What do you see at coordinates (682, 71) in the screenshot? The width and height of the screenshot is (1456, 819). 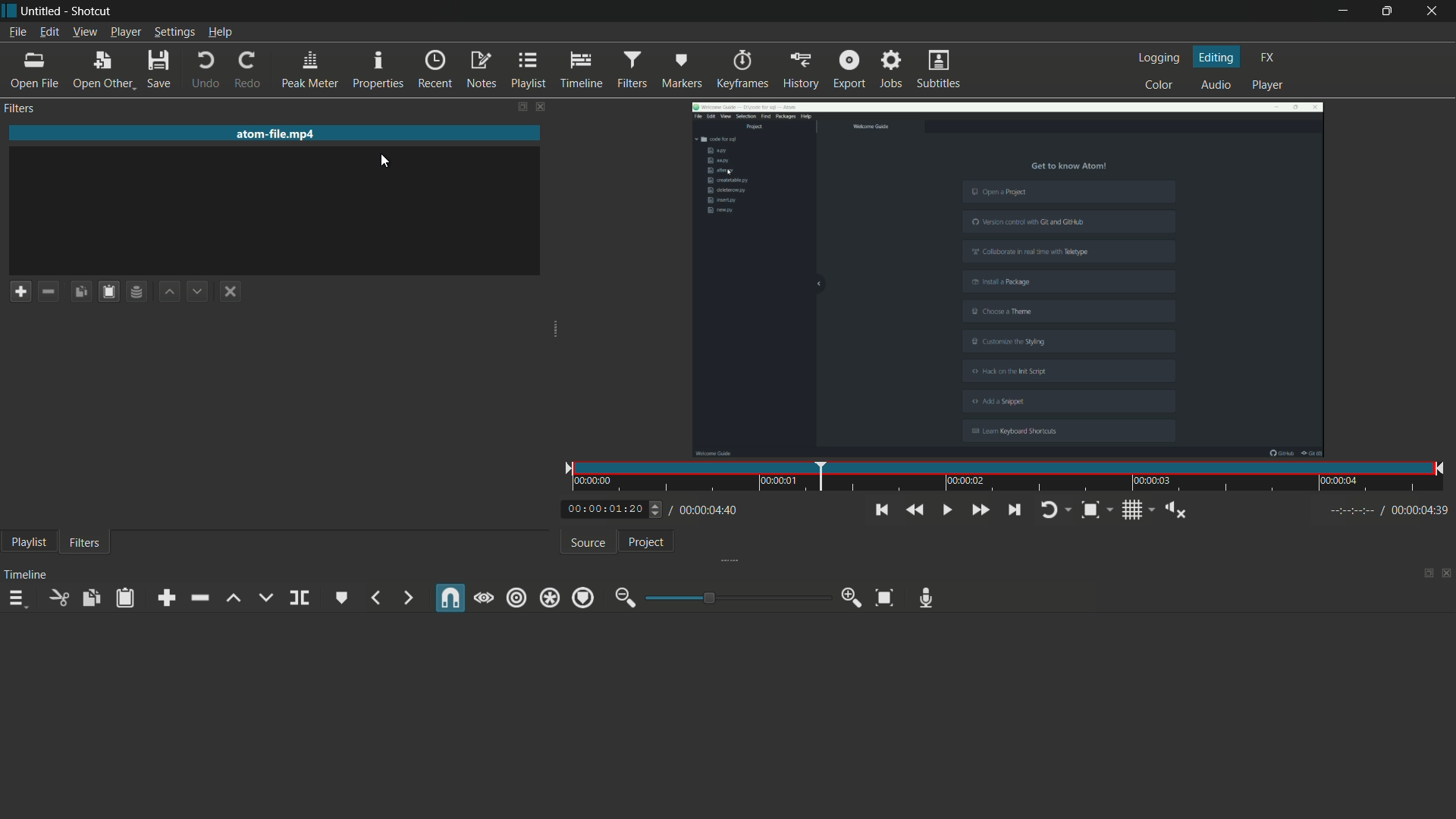 I see `markers` at bounding box center [682, 71].